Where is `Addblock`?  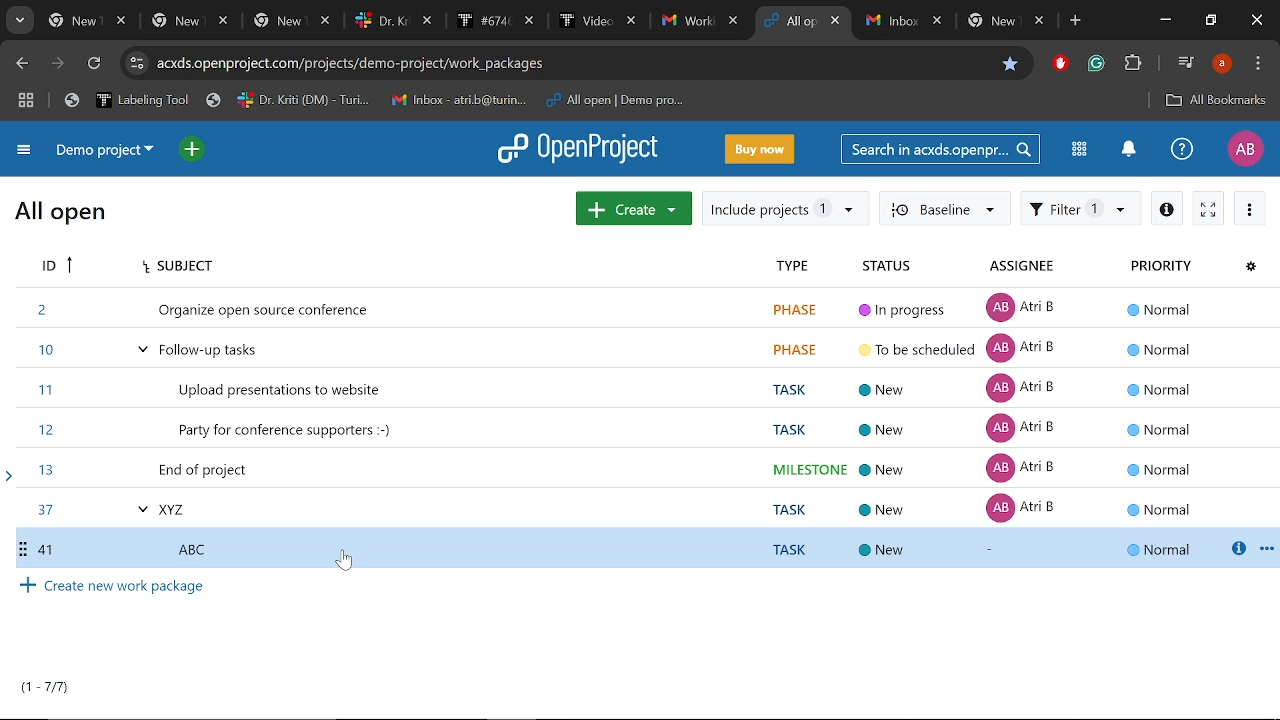
Addblock is located at coordinates (1058, 63).